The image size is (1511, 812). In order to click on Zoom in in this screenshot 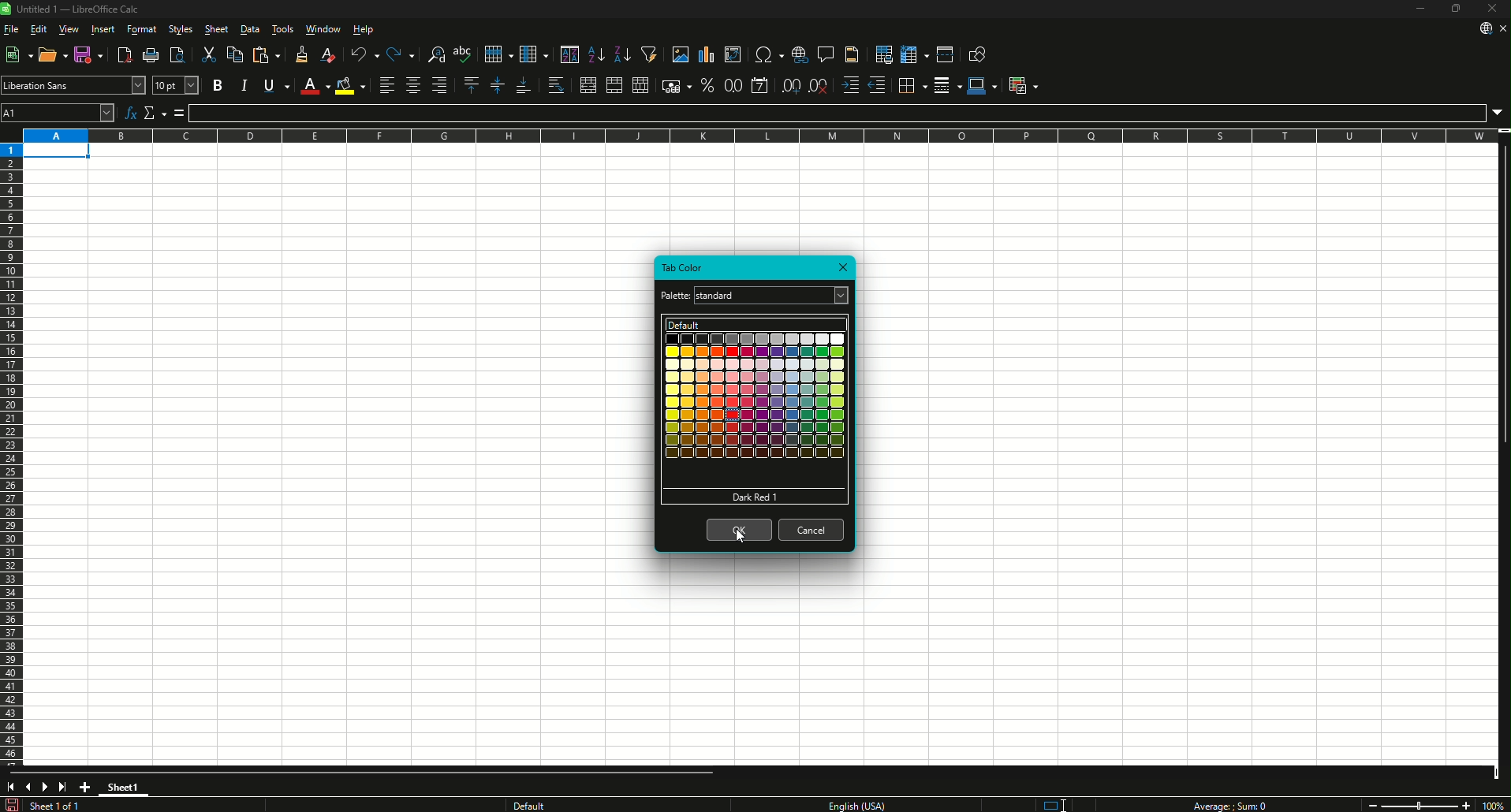, I will do `click(1467, 806)`.